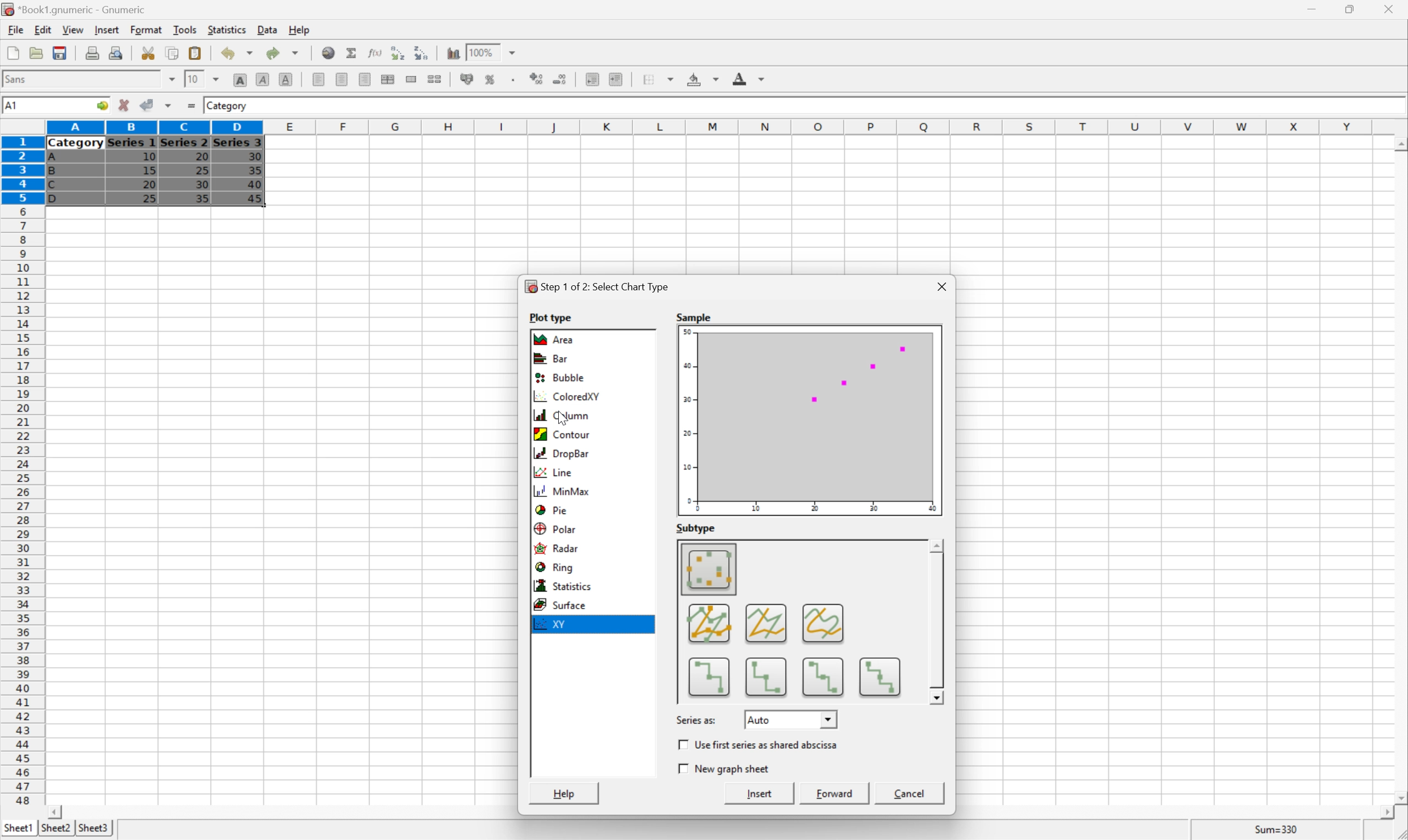 The image size is (1408, 840). Describe the element at coordinates (376, 53) in the screenshot. I see `Edit function in current cell` at that location.